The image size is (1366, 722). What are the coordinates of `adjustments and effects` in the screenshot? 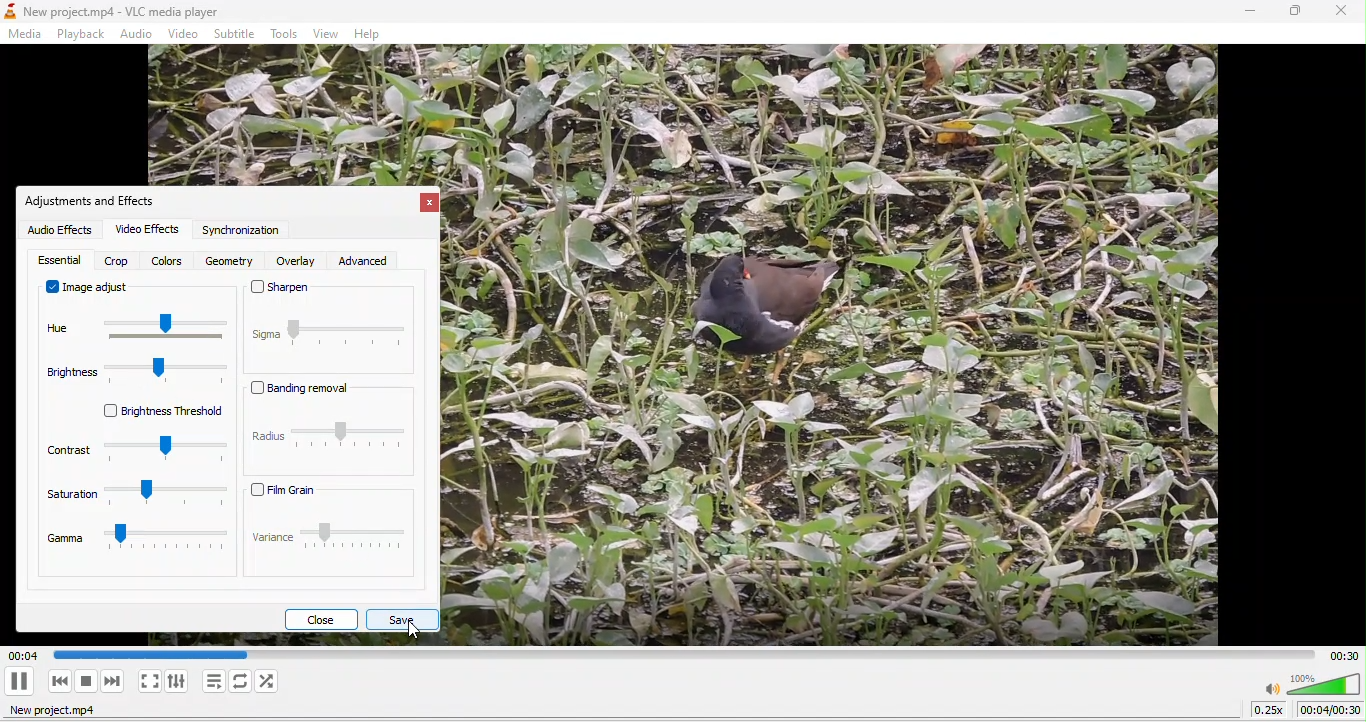 It's located at (95, 201).